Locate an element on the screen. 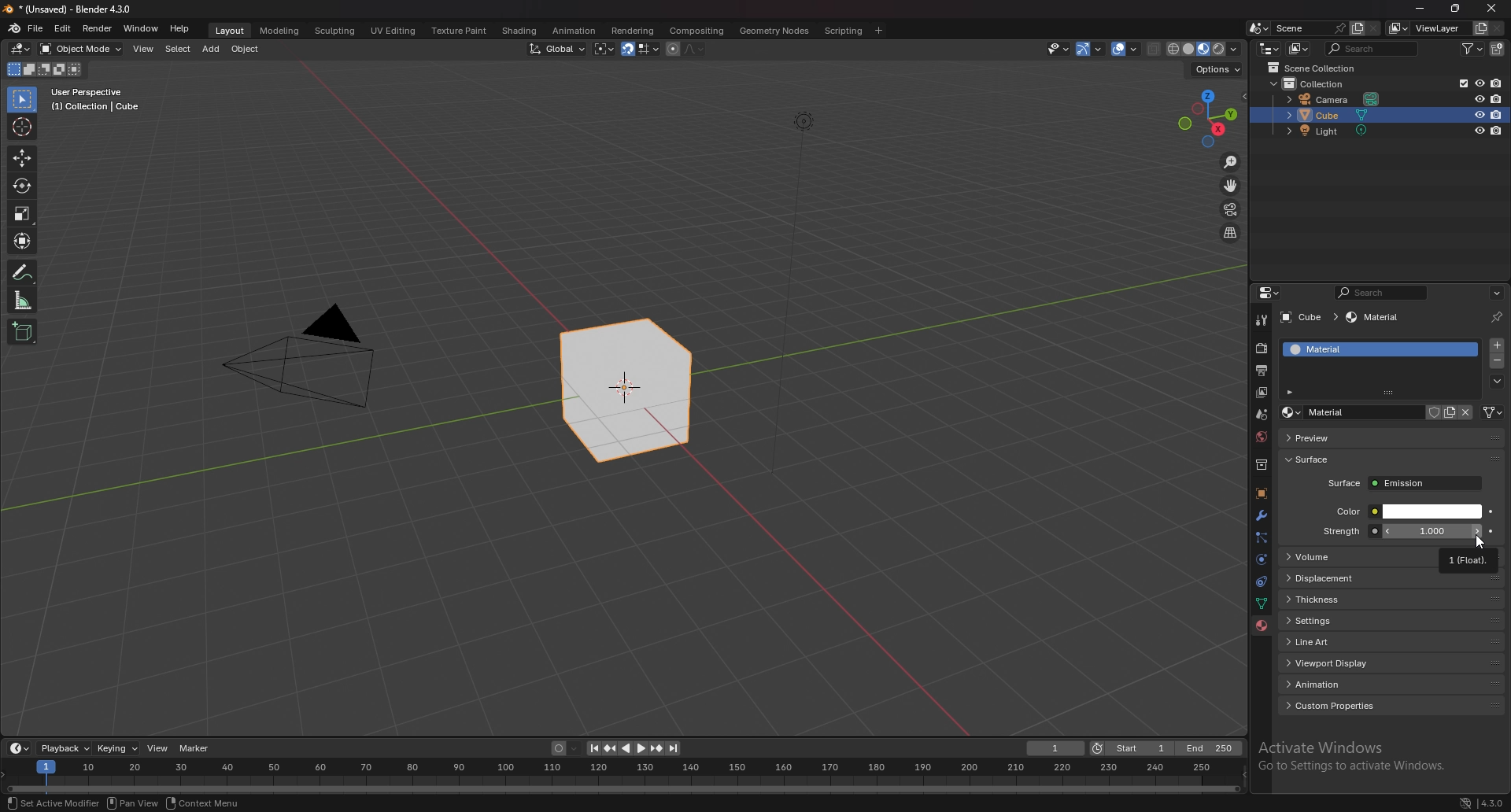 This screenshot has height=812, width=1511. line art is located at coordinates (1391, 641).